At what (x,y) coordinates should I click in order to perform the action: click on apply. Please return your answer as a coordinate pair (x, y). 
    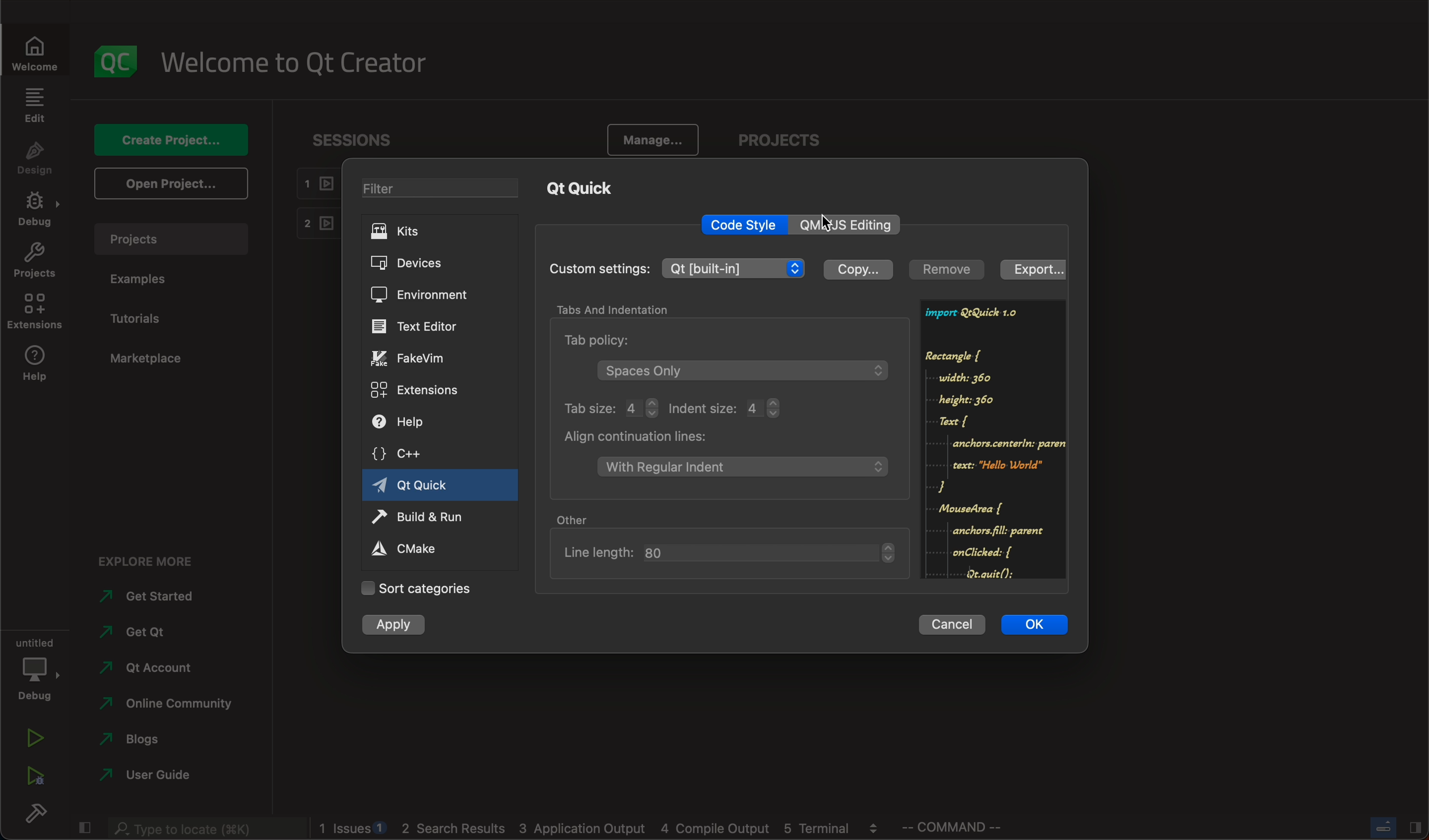
    Looking at the image, I should click on (407, 625).